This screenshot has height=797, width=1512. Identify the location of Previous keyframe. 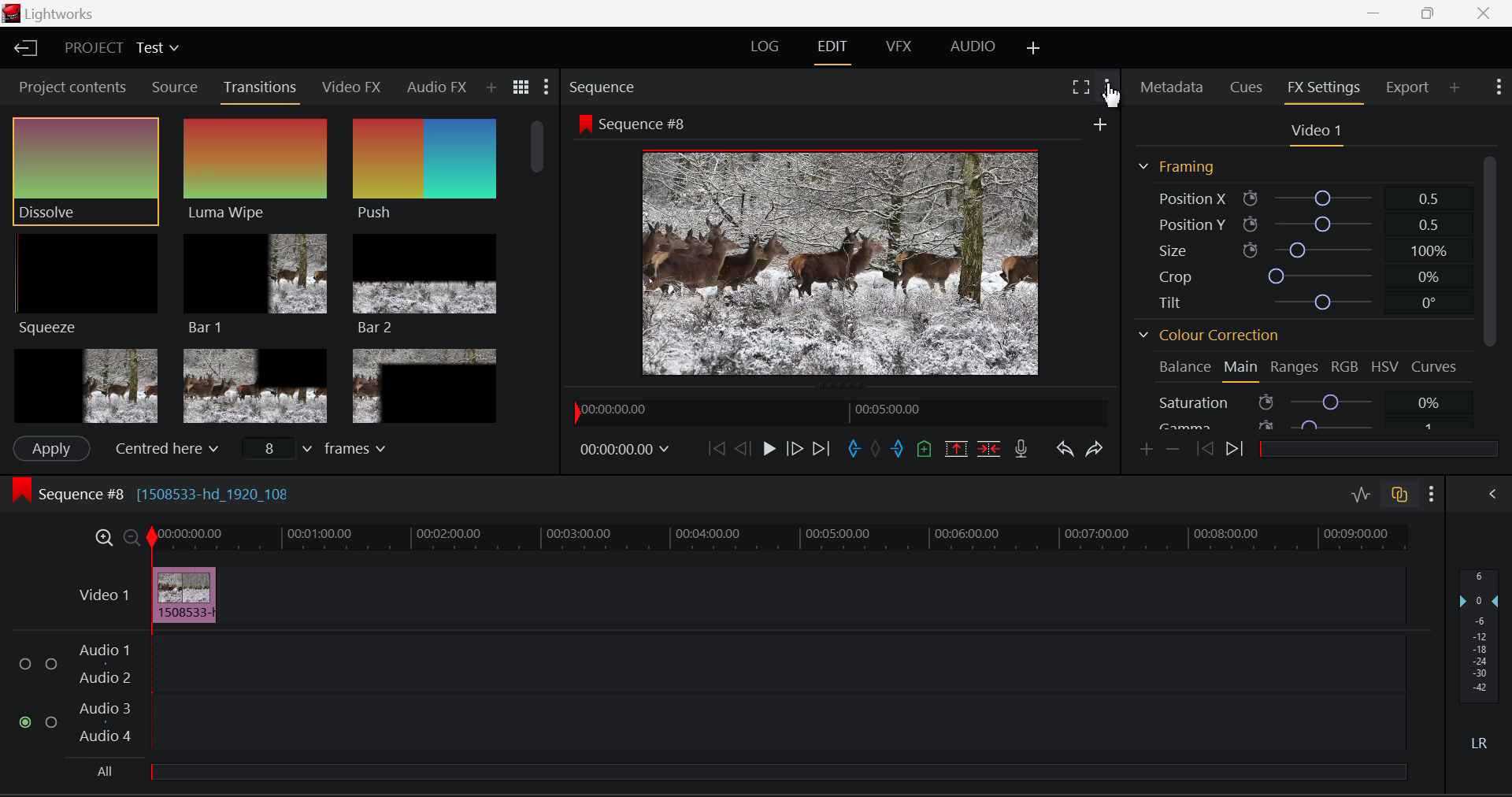
(1206, 448).